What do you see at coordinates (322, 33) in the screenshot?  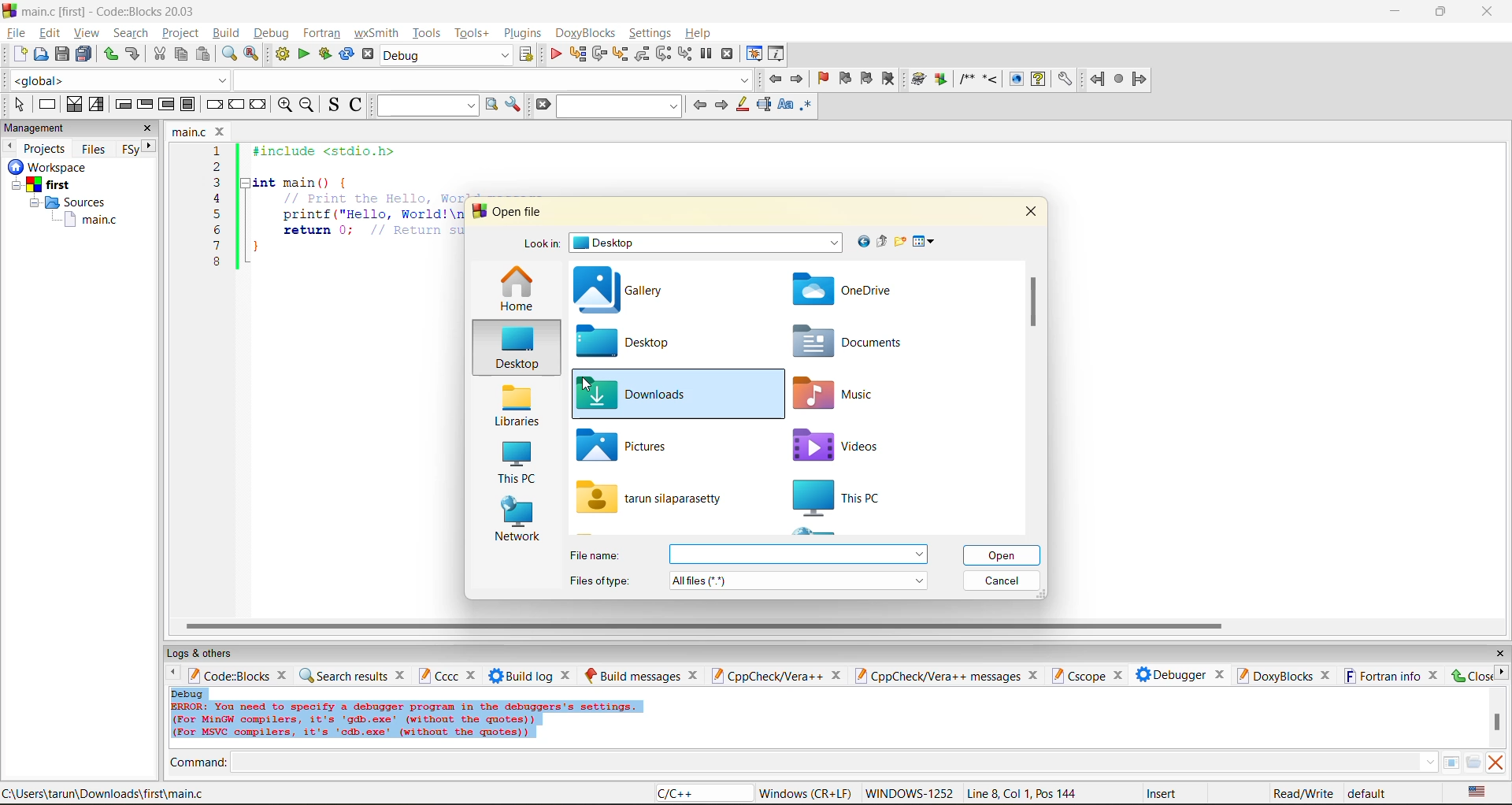 I see `fortran` at bounding box center [322, 33].